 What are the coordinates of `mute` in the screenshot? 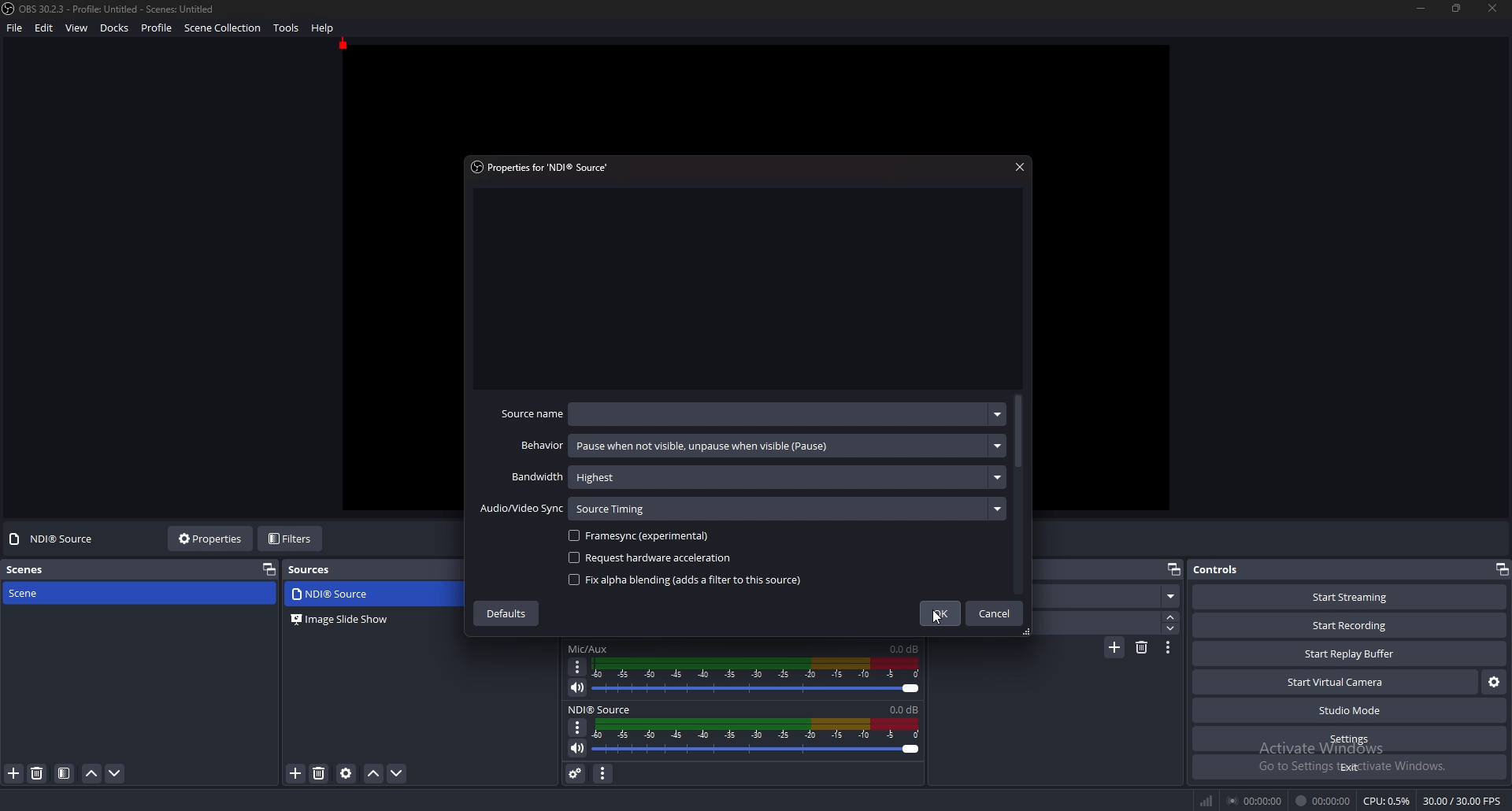 It's located at (577, 688).